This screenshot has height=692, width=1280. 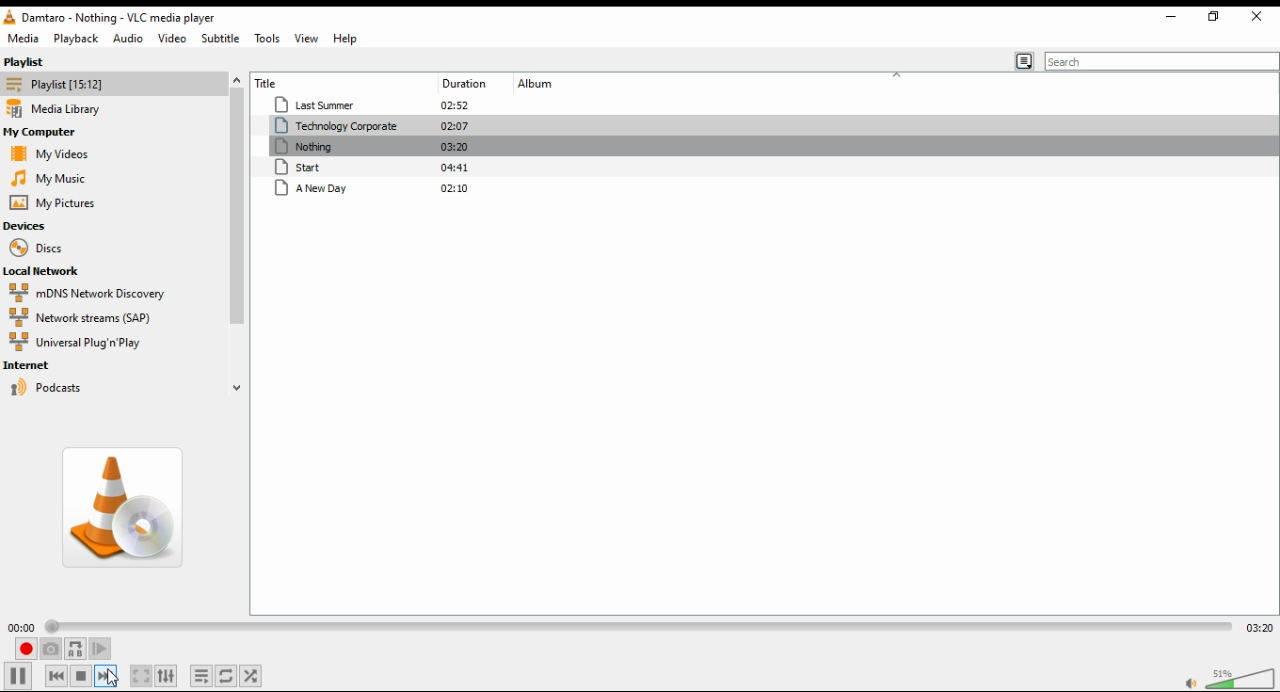 I want to click on take a snapshot, so click(x=53, y=650).